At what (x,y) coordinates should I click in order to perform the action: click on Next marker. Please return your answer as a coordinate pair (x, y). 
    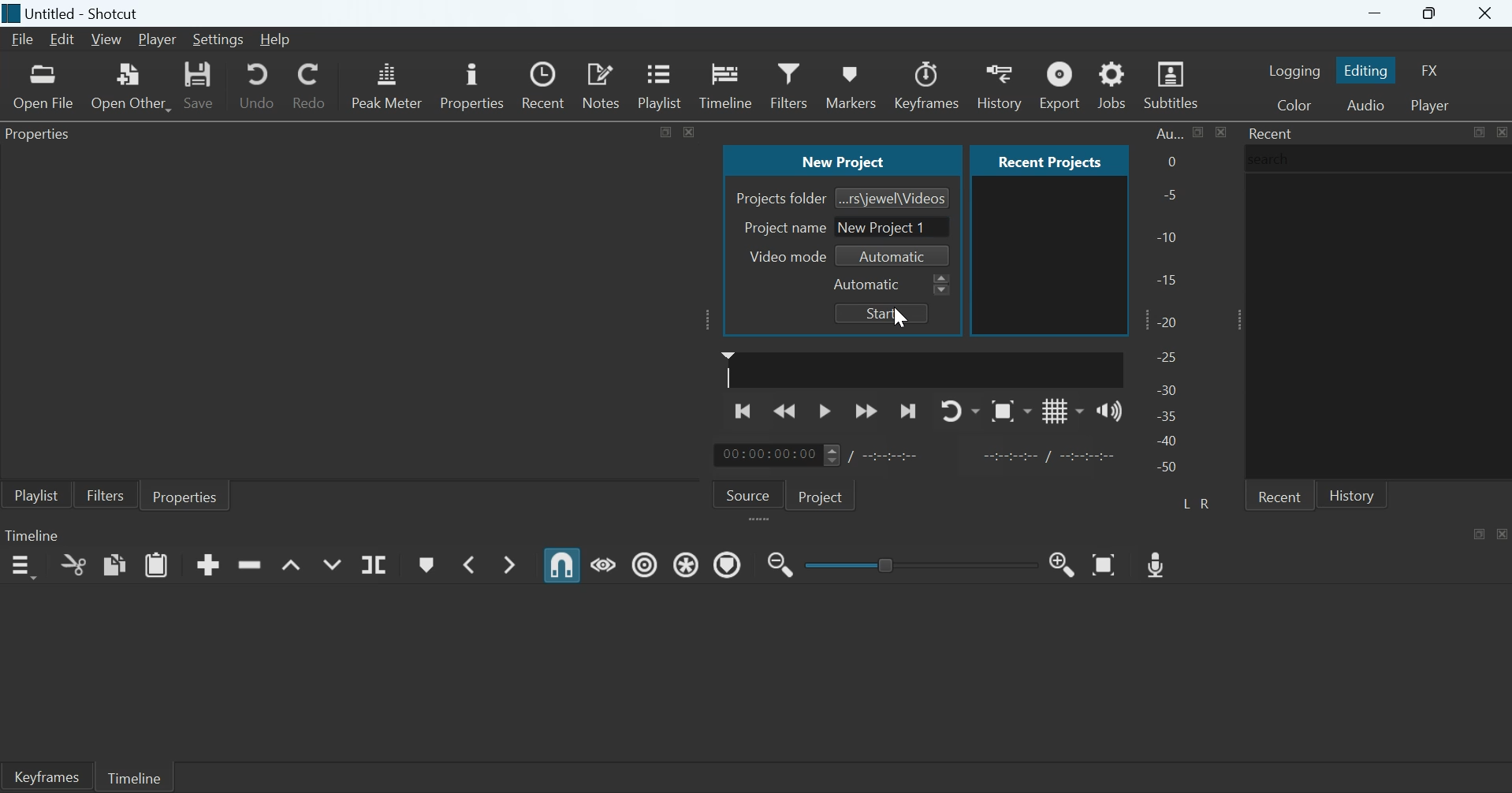
    Looking at the image, I should click on (512, 564).